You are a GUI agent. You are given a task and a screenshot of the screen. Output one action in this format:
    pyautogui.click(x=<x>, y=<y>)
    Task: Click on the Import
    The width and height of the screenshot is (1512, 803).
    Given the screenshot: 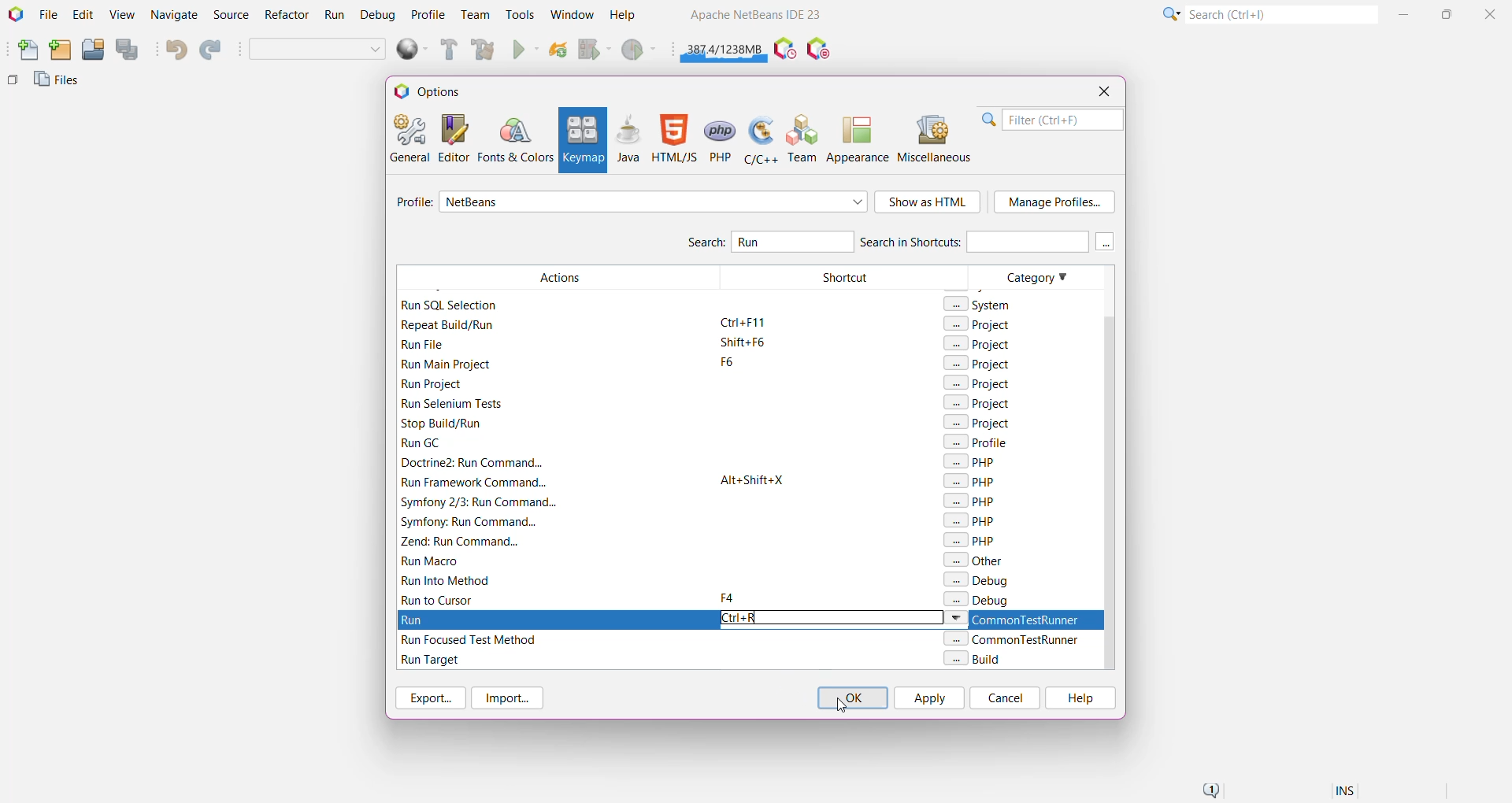 What is the action you would take?
    pyautogui.click(x=510, y=698)
    